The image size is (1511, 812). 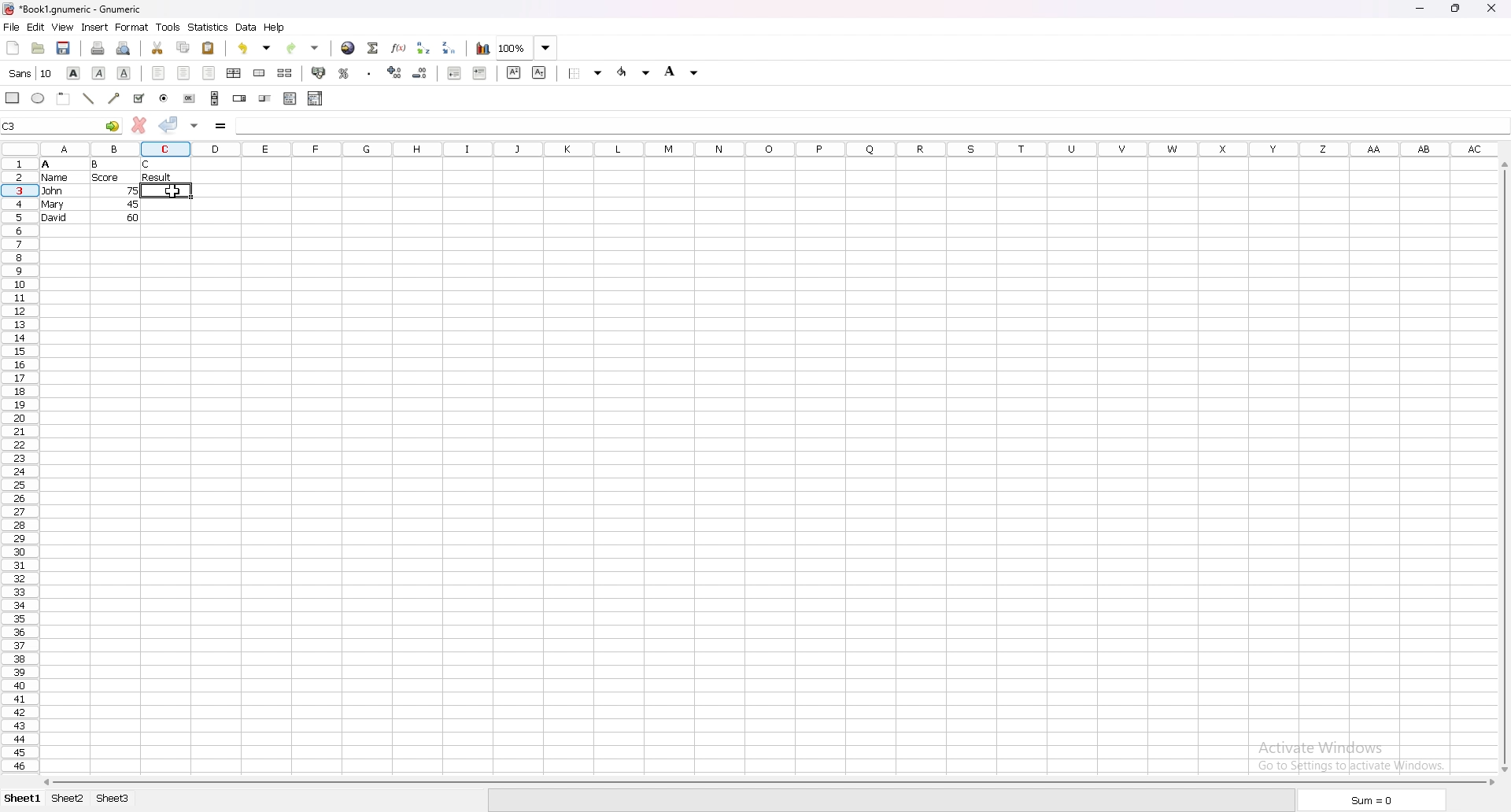 What do you see at coordinates (767, 783) in the screenshot?
I see `scroll bar` at bounding box center [767, 783].